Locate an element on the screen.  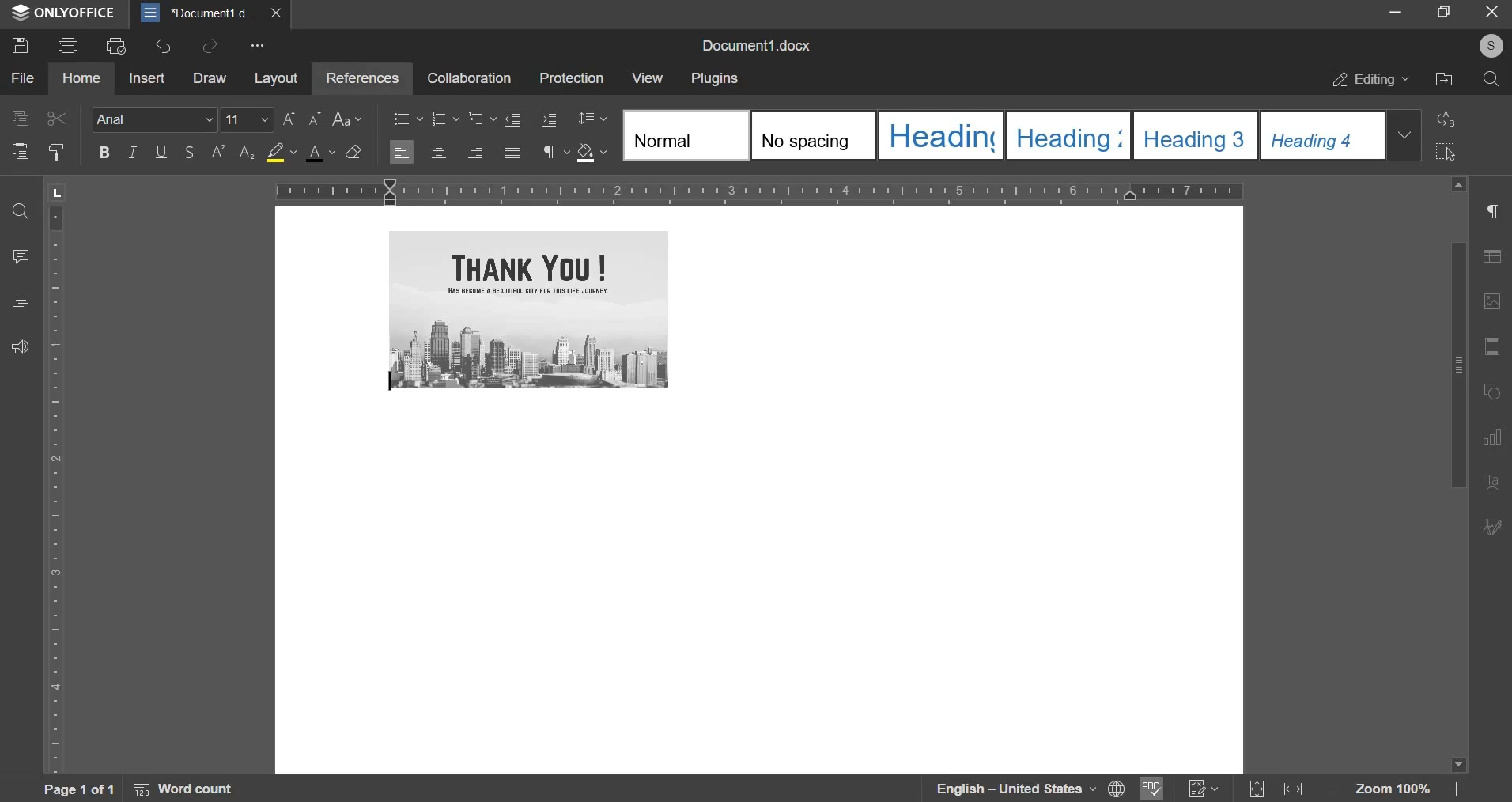
bullets is located at coordinates (408, 119).